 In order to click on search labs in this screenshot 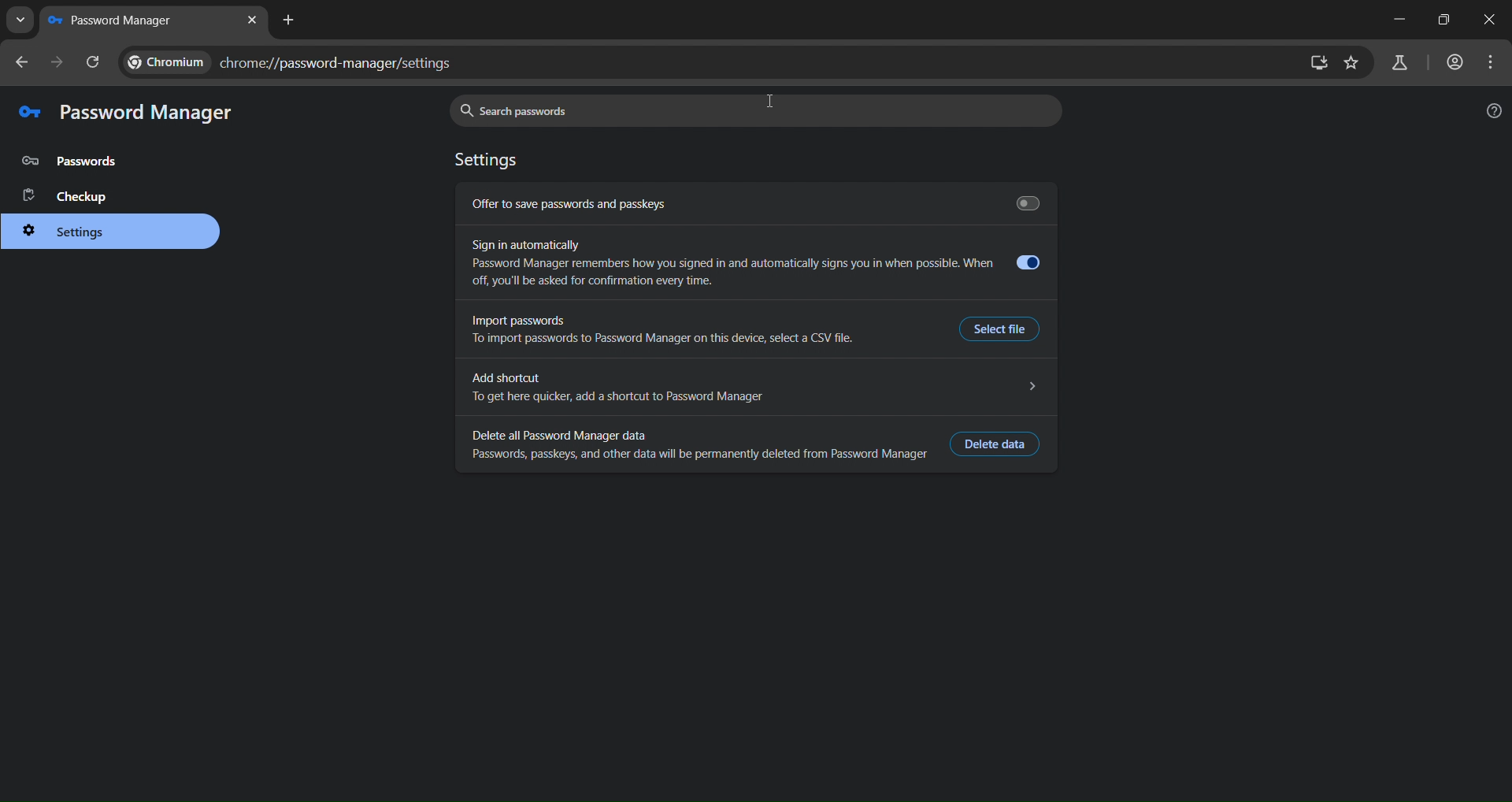, I will do `click(1405, 64)`.